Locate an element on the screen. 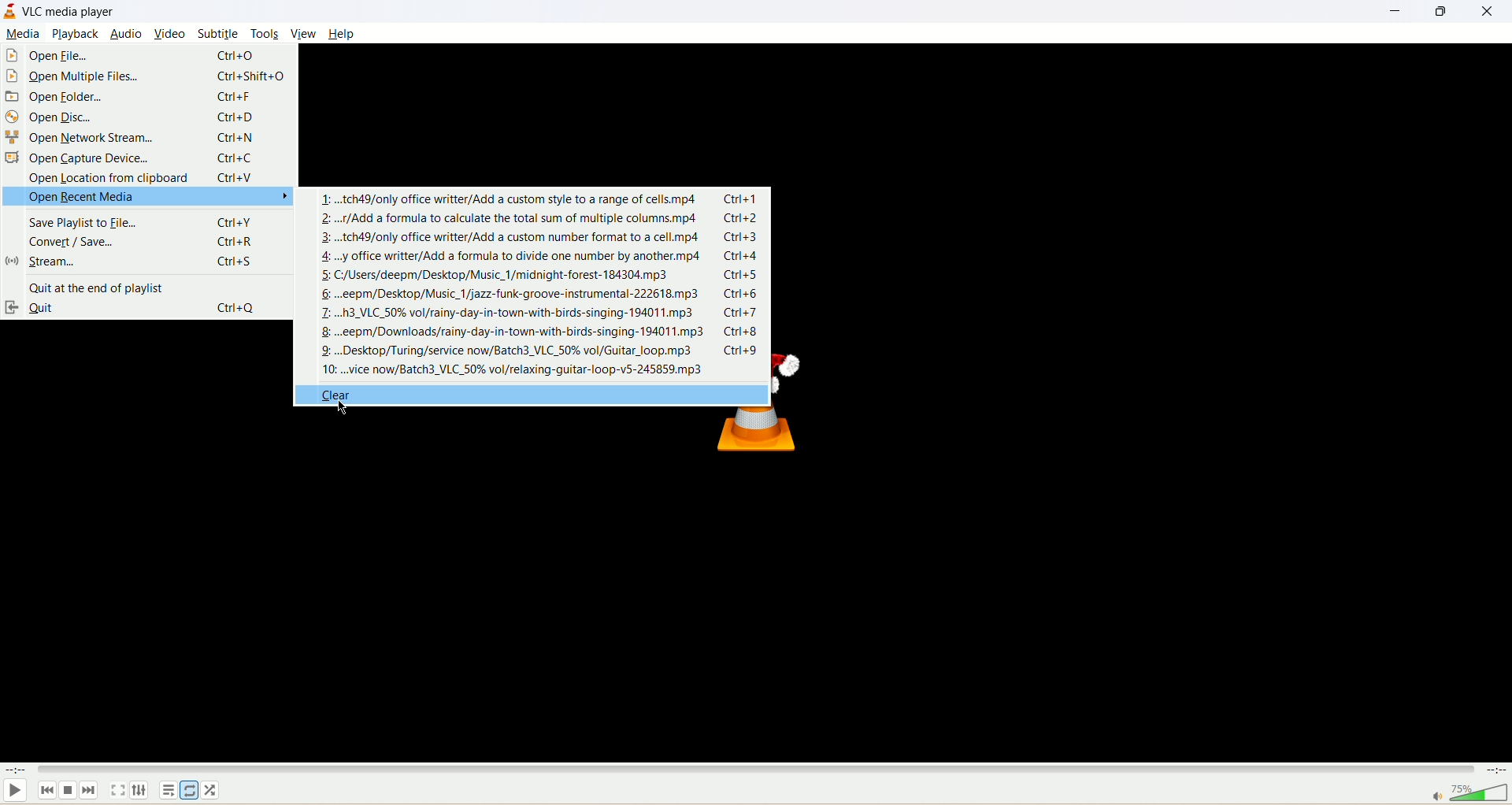 The image size is (1512, 805). ctrl+7 is located at coordinates (745, 312).